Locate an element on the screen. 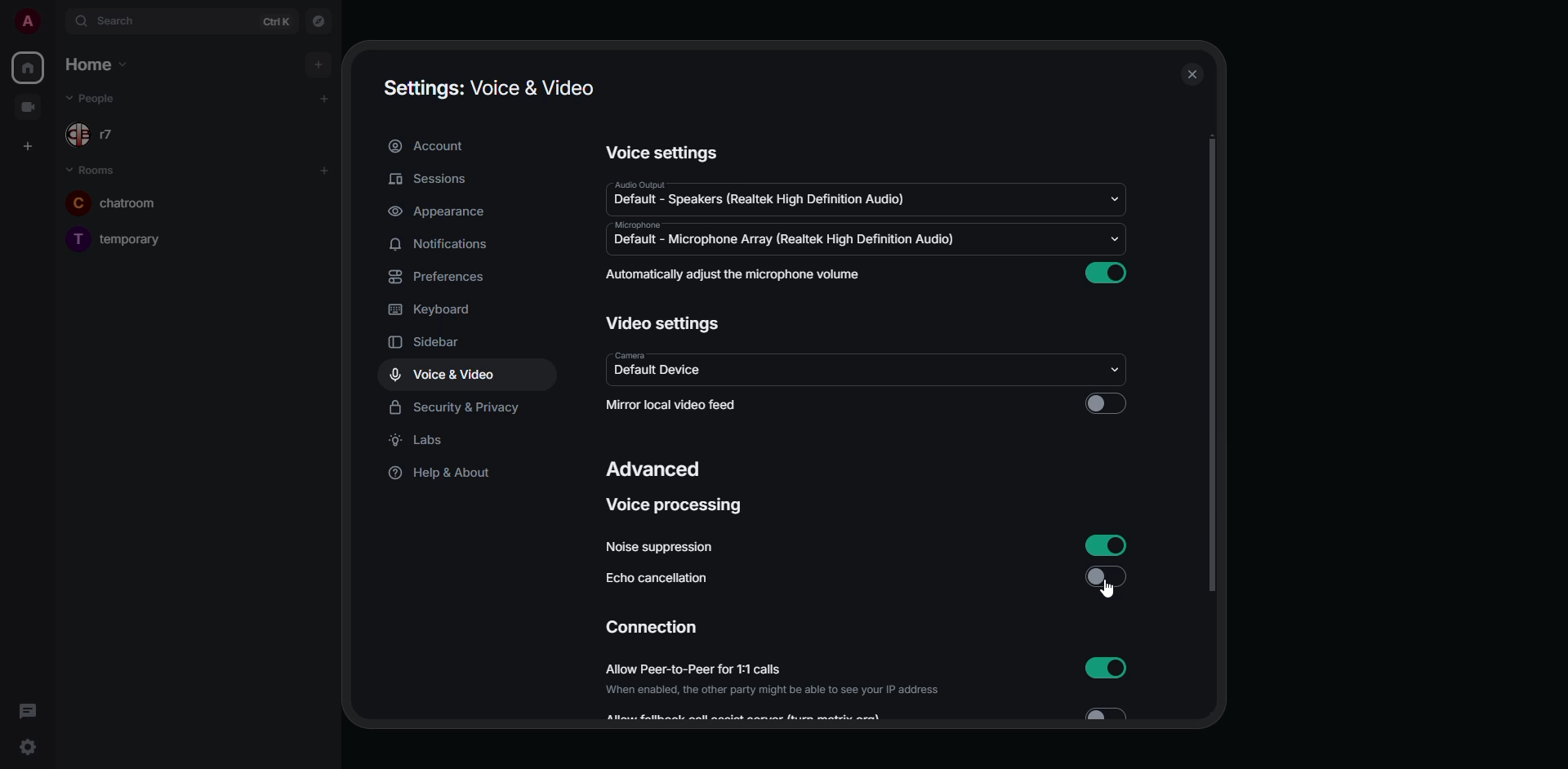 This screenshot has height=769, width=1568. navigator is located at coordinates (321, 21).